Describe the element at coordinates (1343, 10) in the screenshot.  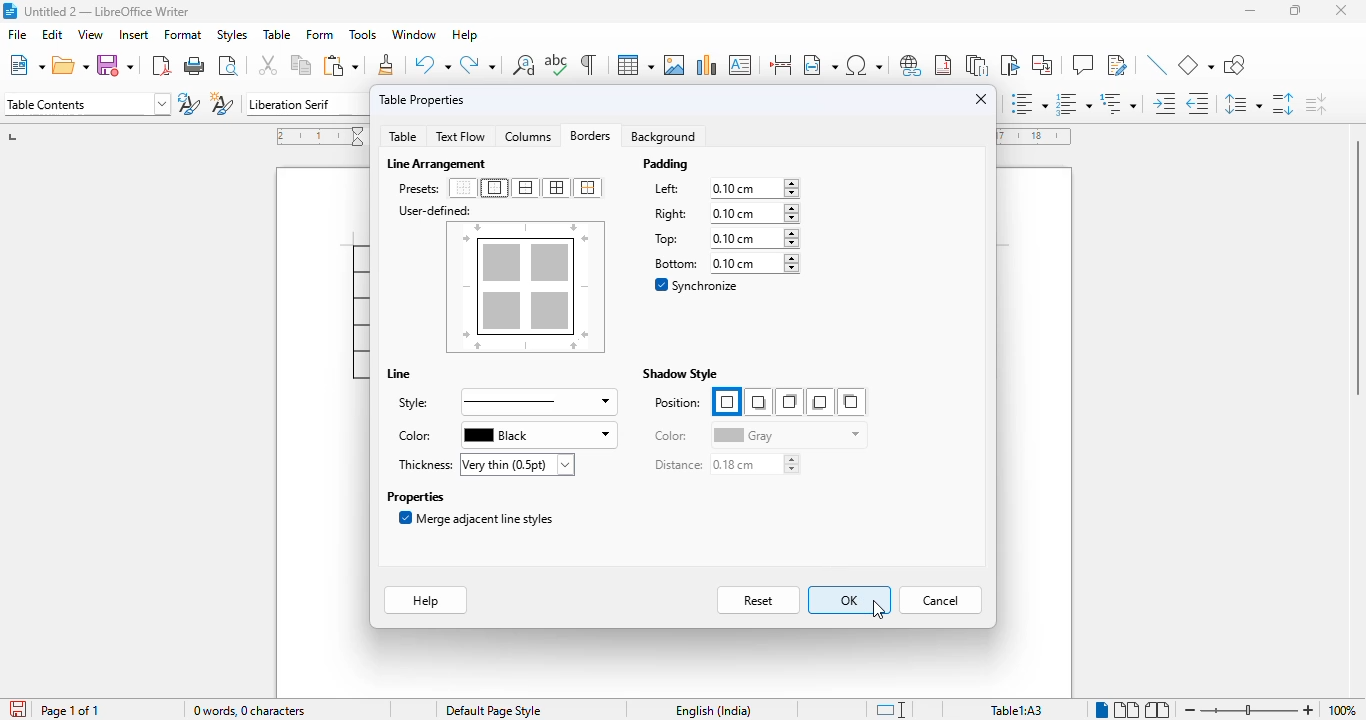
I see `close` at that location.